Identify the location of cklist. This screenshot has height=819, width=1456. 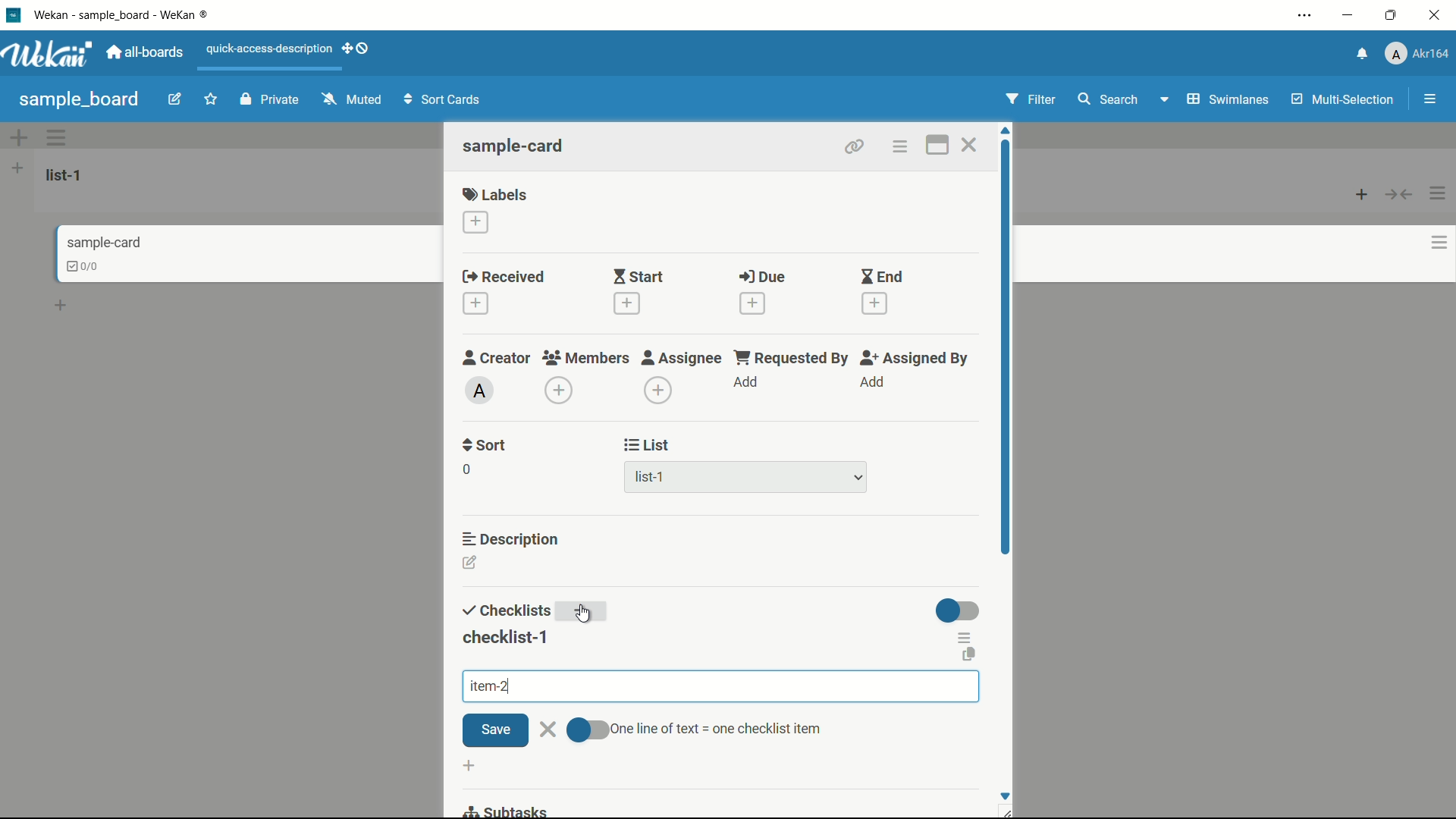
(84, 266).